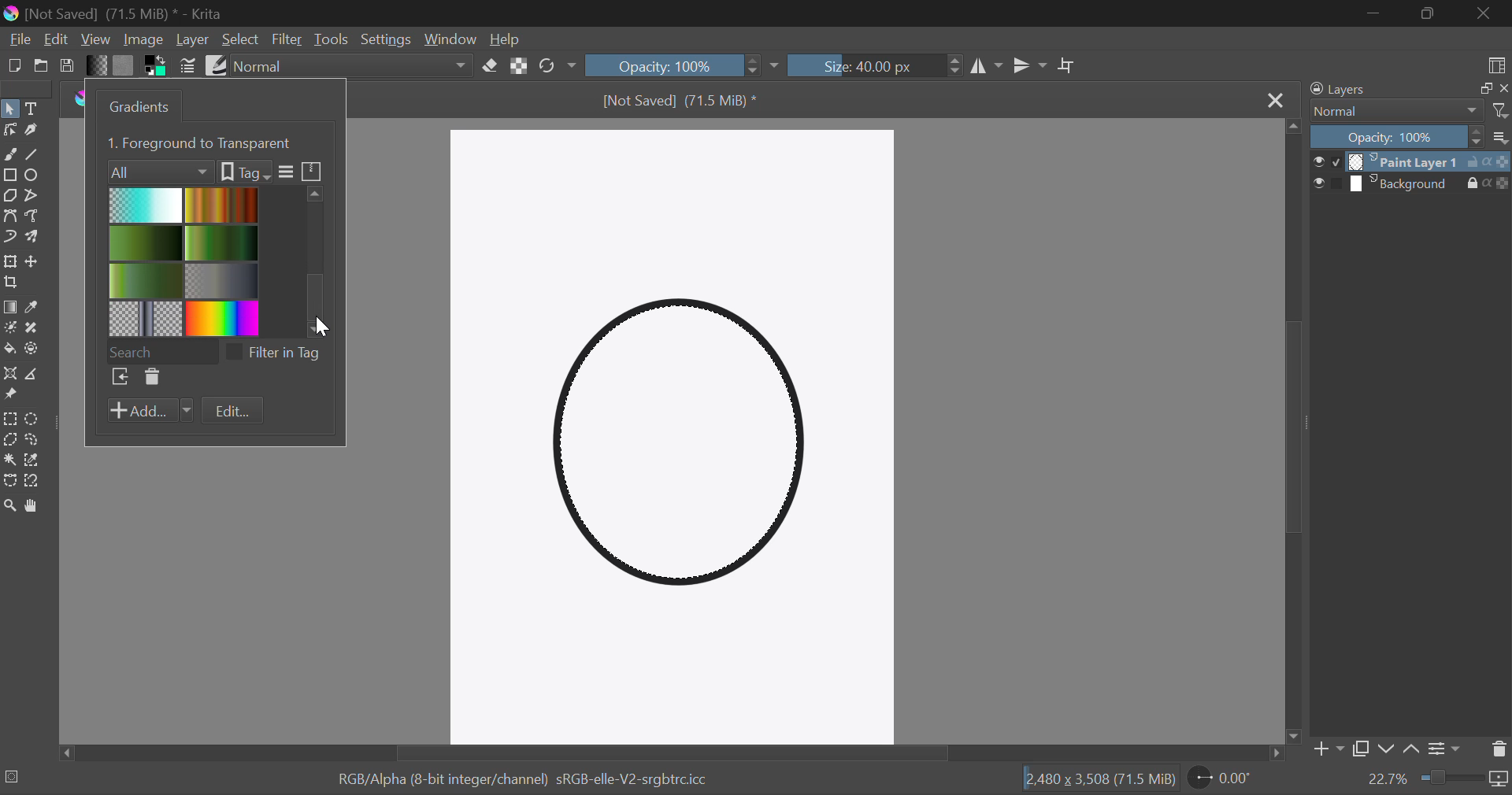 The height and width of the screenshot is (795, 1512). I want to click on File, so click(18, 39).